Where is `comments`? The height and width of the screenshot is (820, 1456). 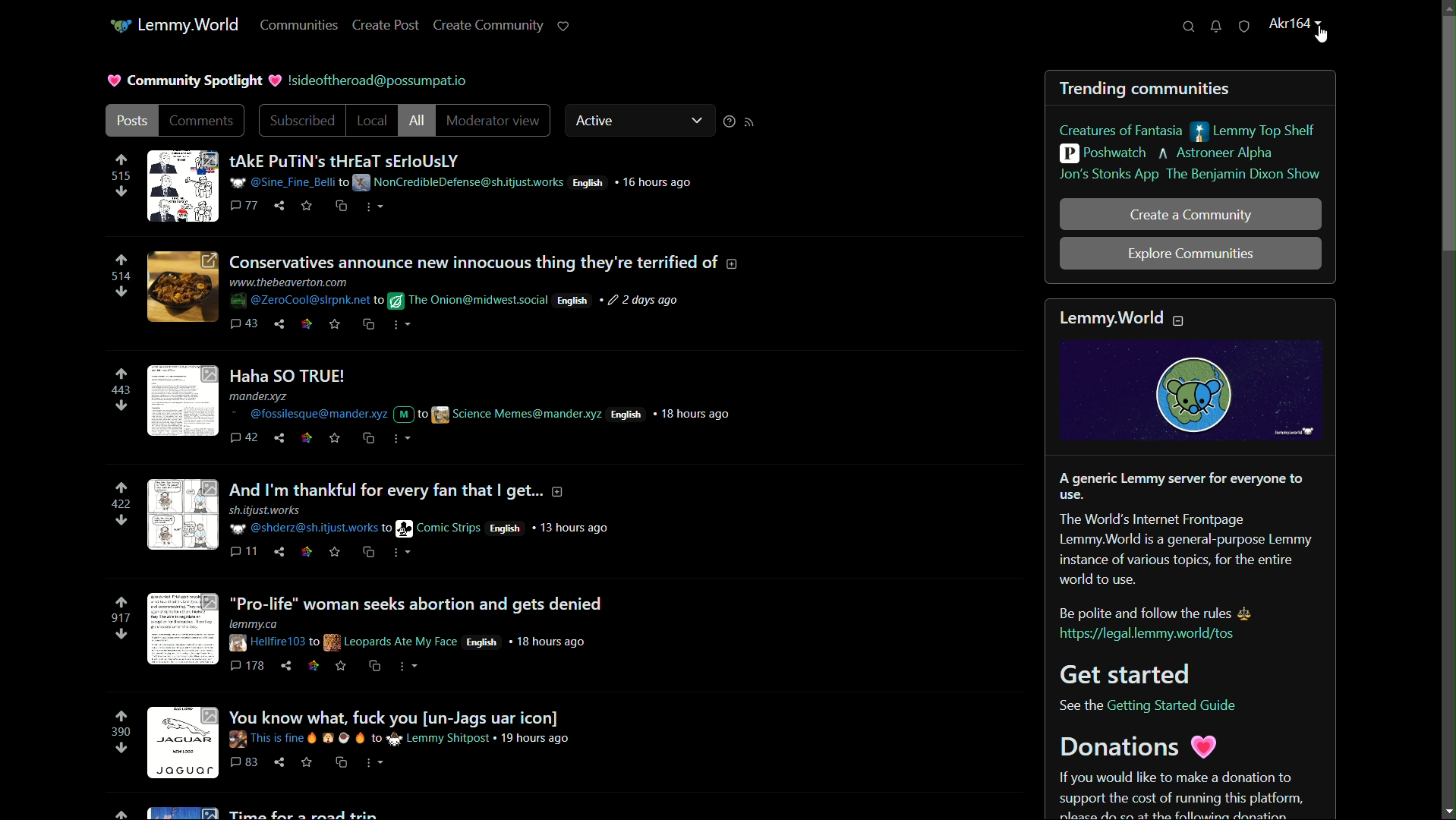 comments is located at coordinates (205, 121).